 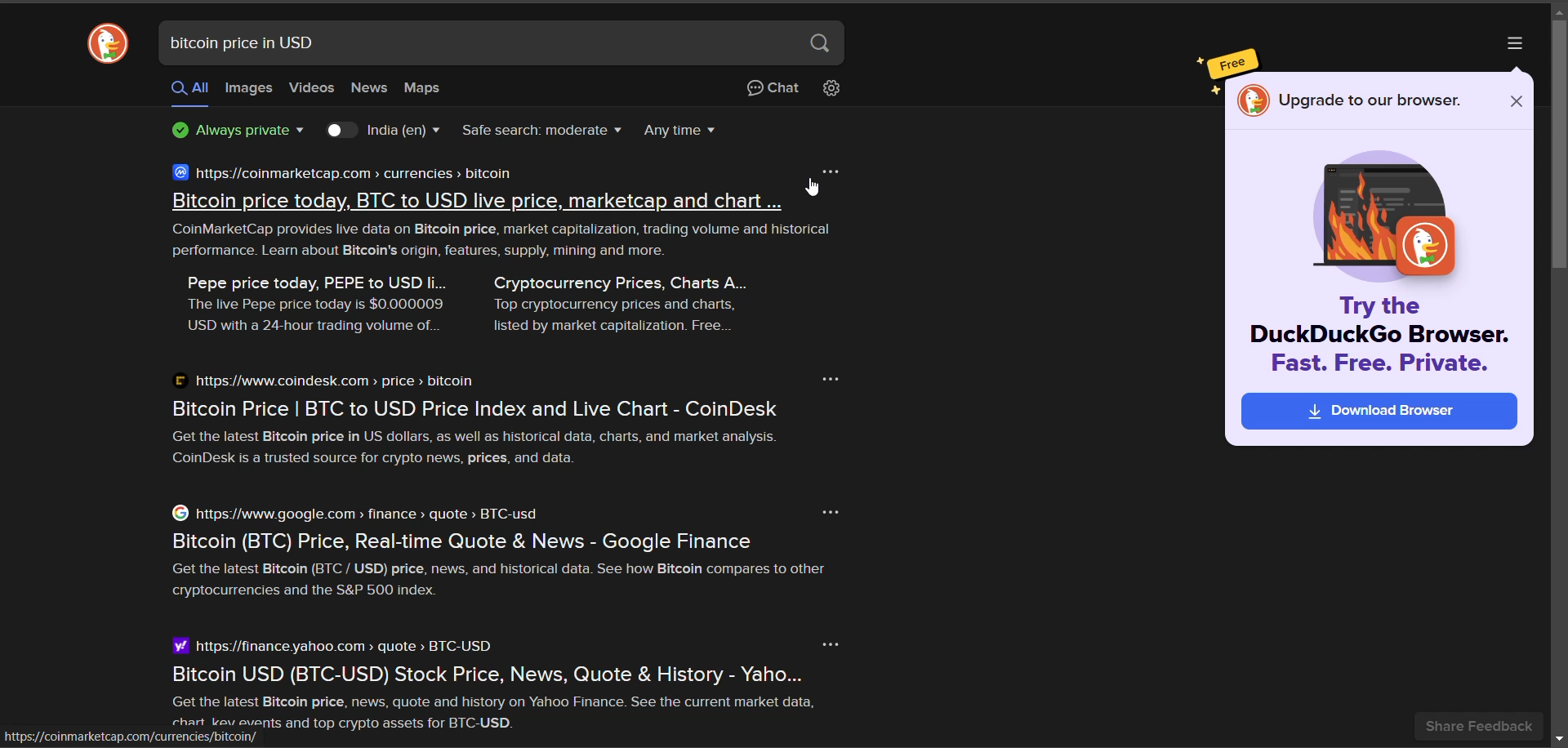 What do you see at coordinates (502, 582) in the screenshot?
I see `Get the latest Bitcoin (B1C / USD) price, news, and historical data. See how Bitcoin compares to other
cryptocurrencies and the S&P 500 index.` at bounding box center [502, 582].